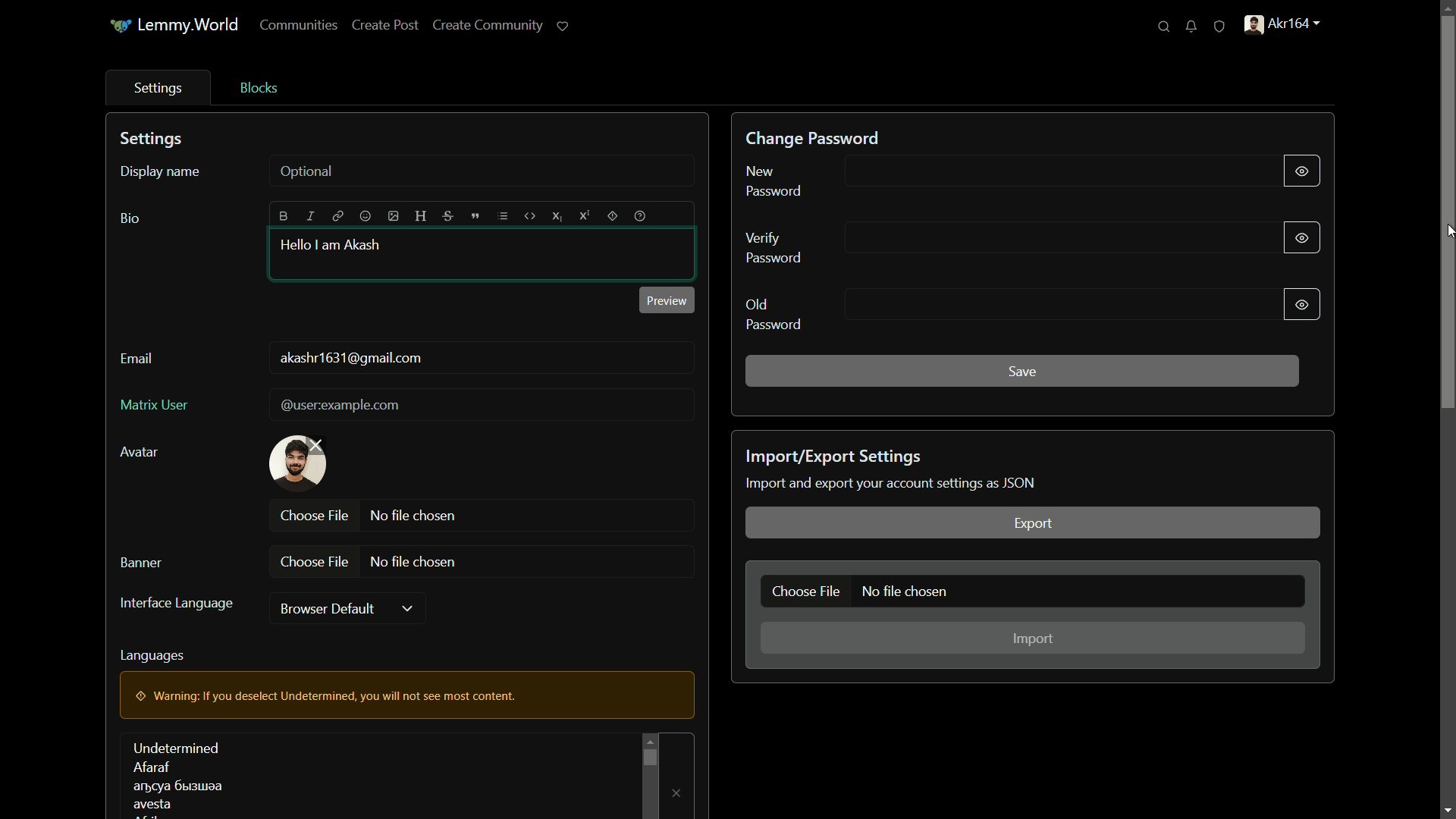  I want to click on verify password input line, so click(1062, 238).